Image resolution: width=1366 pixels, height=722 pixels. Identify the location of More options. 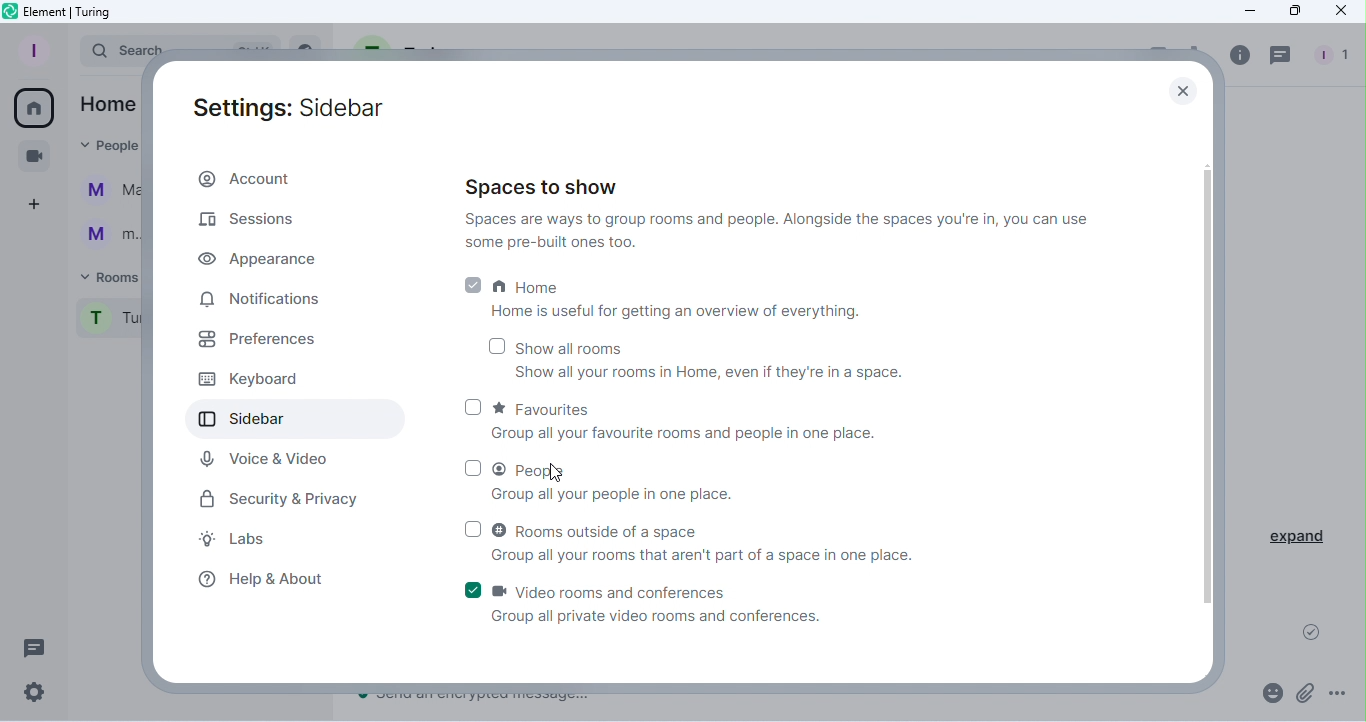
(1334, 693).